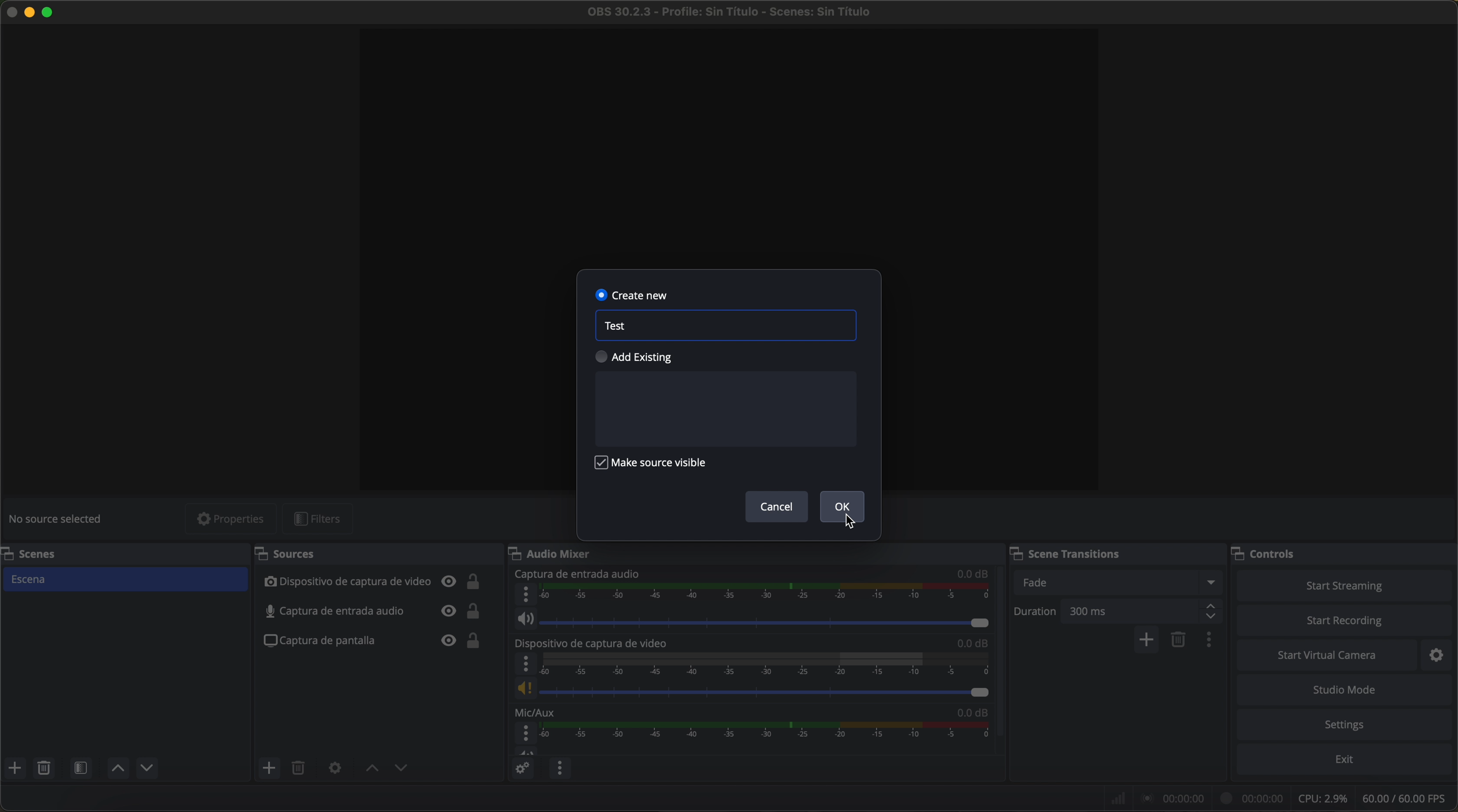 The width and height of the screenshot is (1458, 812). What do you see at coordinates (10, 11) in the screenshot?
I see `close program` at bounding box center [10, 11].